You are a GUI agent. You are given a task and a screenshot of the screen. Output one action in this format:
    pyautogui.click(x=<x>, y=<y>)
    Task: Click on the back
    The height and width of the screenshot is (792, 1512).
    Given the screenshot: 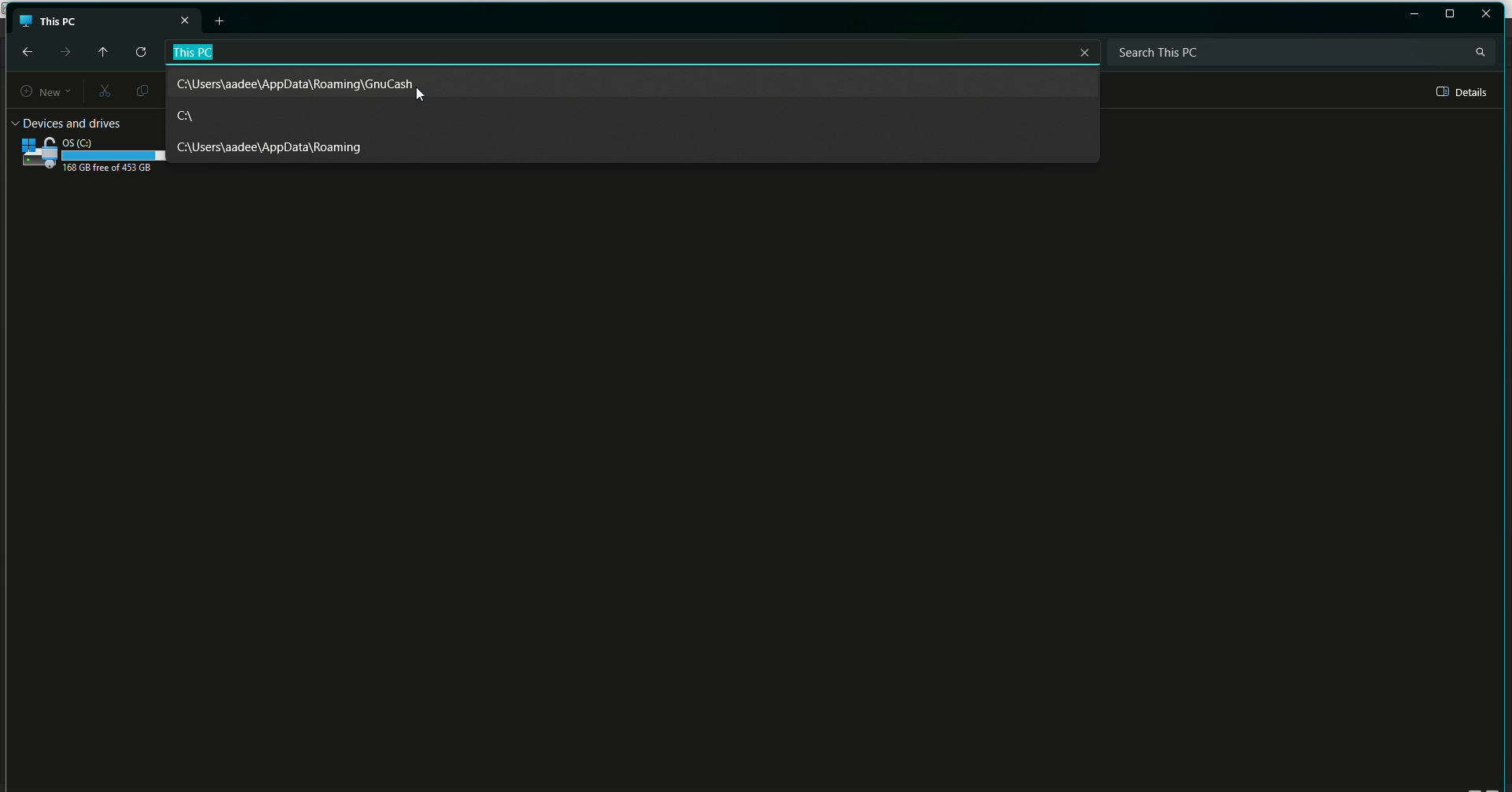 What is the action you would take?
    pyautogui.click(x=25, y=51)
    